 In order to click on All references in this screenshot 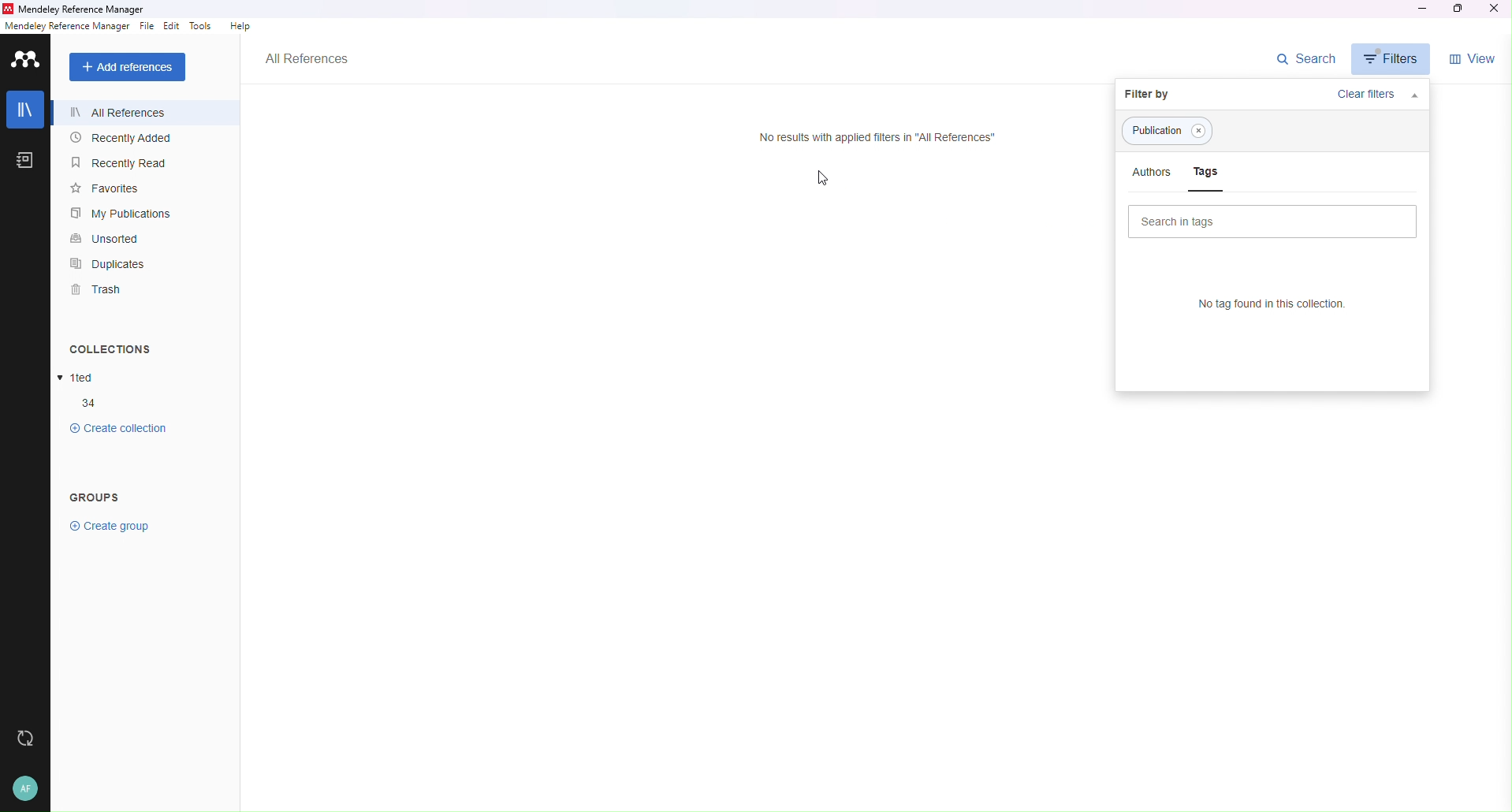, I will do `click(307, 58)`.